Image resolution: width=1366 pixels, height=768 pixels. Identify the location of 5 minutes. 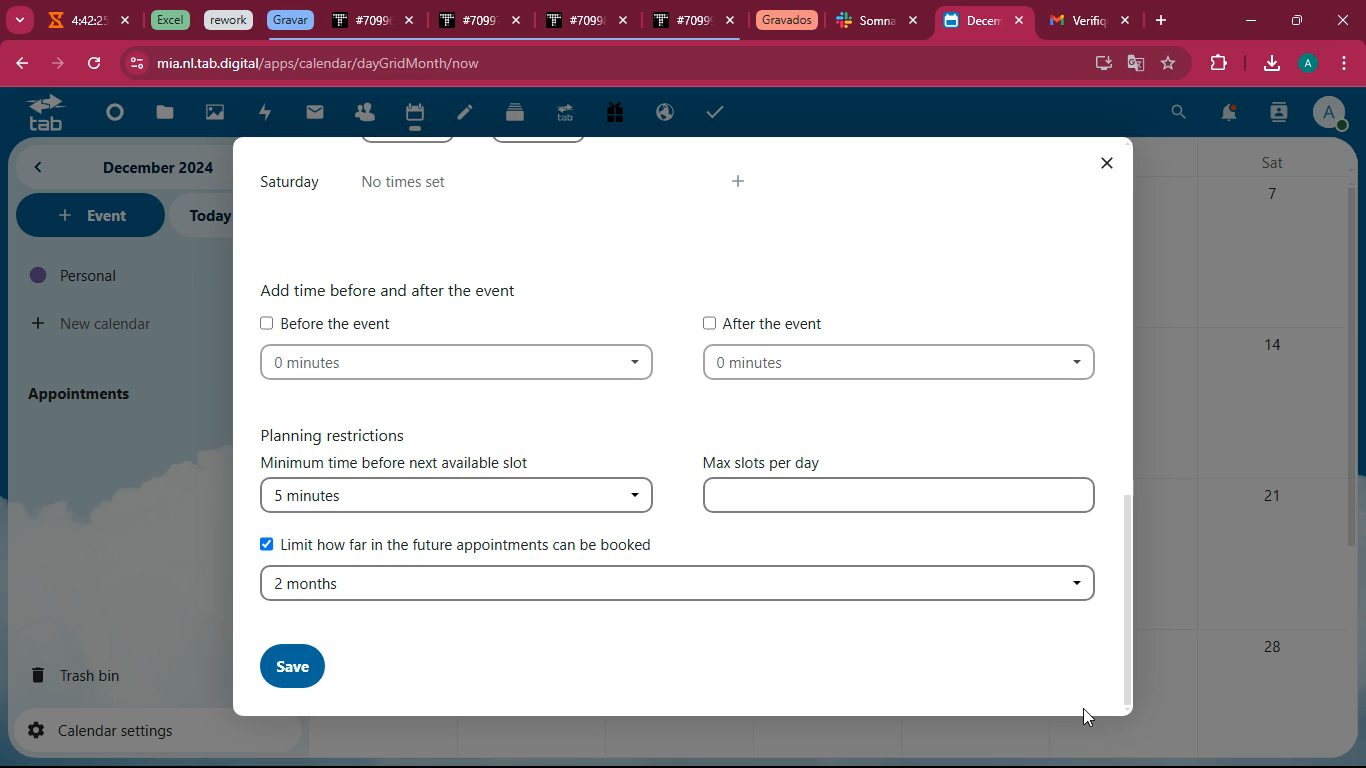
(455, 497).